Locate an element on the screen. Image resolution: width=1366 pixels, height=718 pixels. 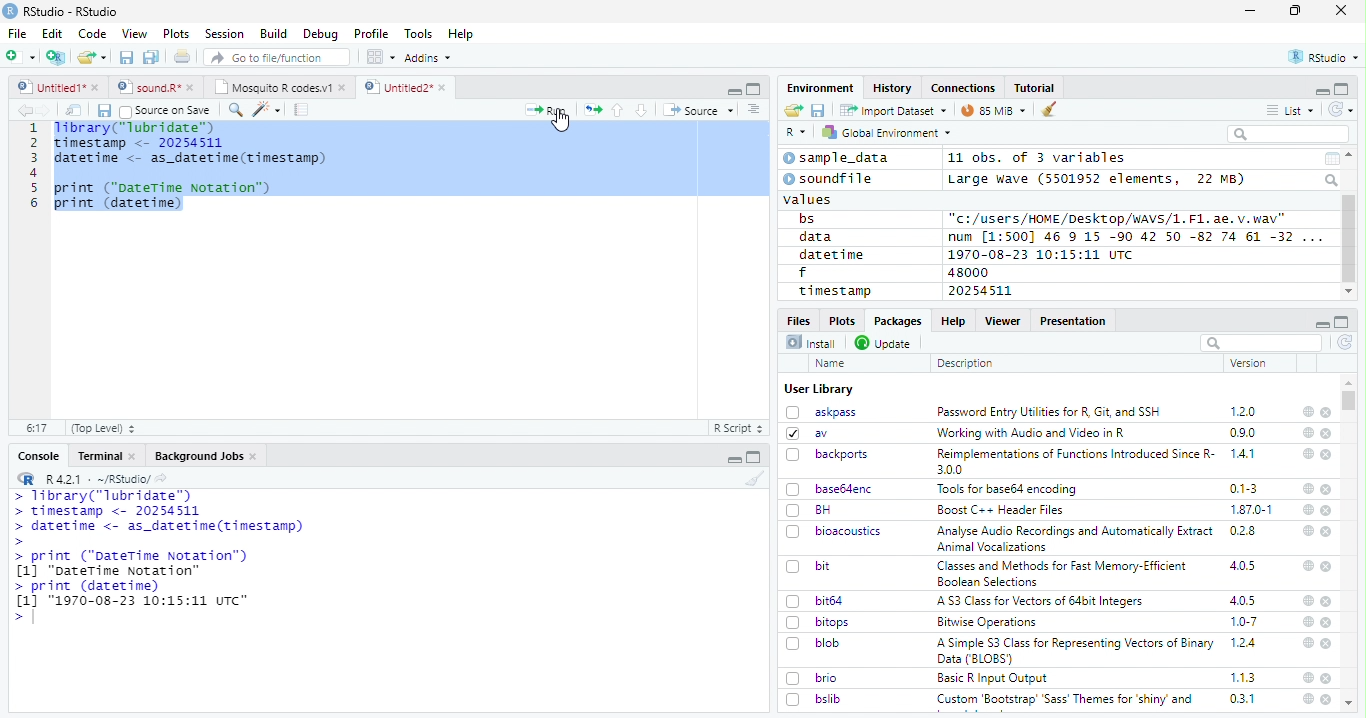
Print is located at coordinates (183, 56).